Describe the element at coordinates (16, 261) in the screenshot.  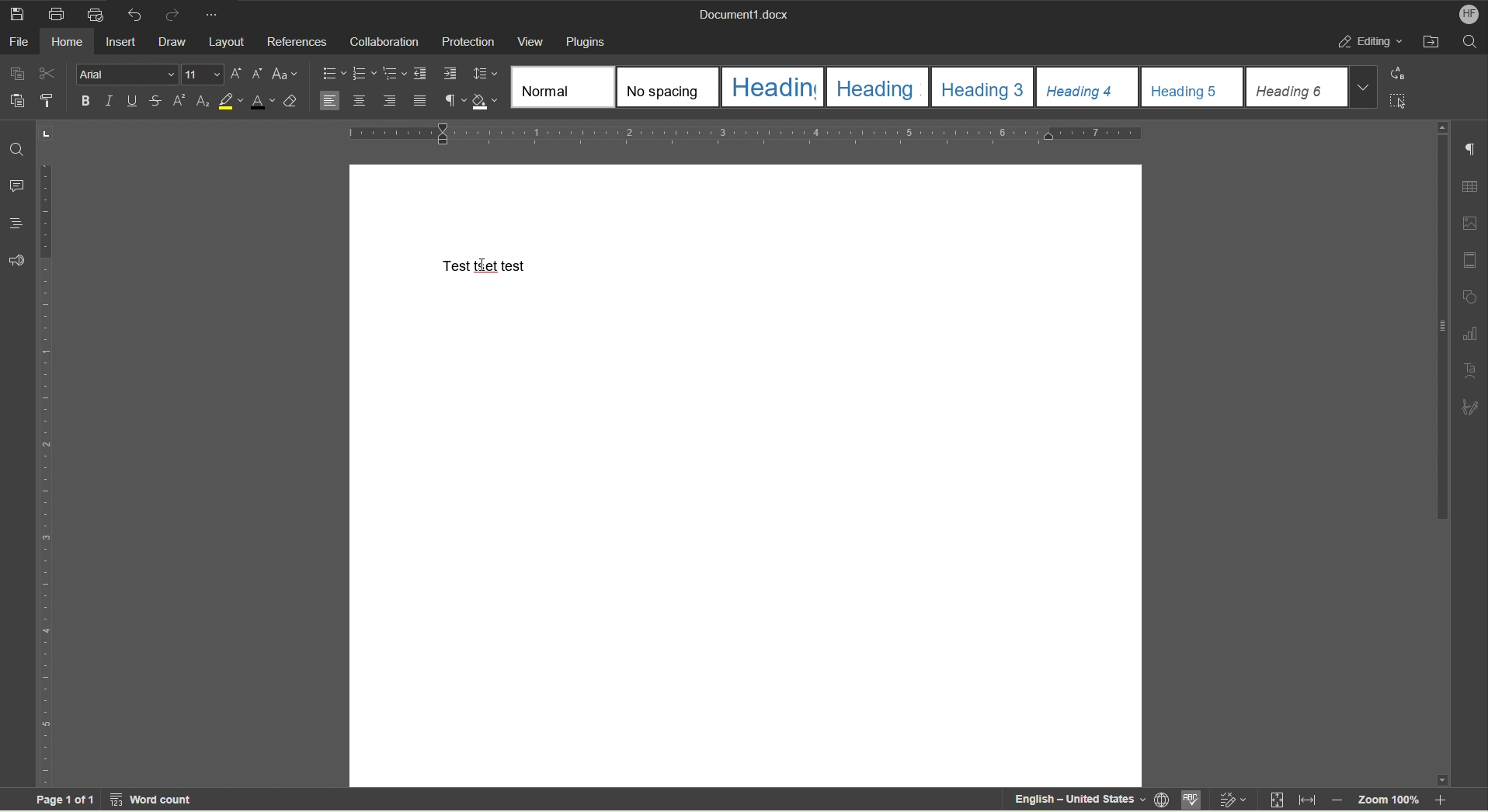
I see `Feedback and Support` at that location.